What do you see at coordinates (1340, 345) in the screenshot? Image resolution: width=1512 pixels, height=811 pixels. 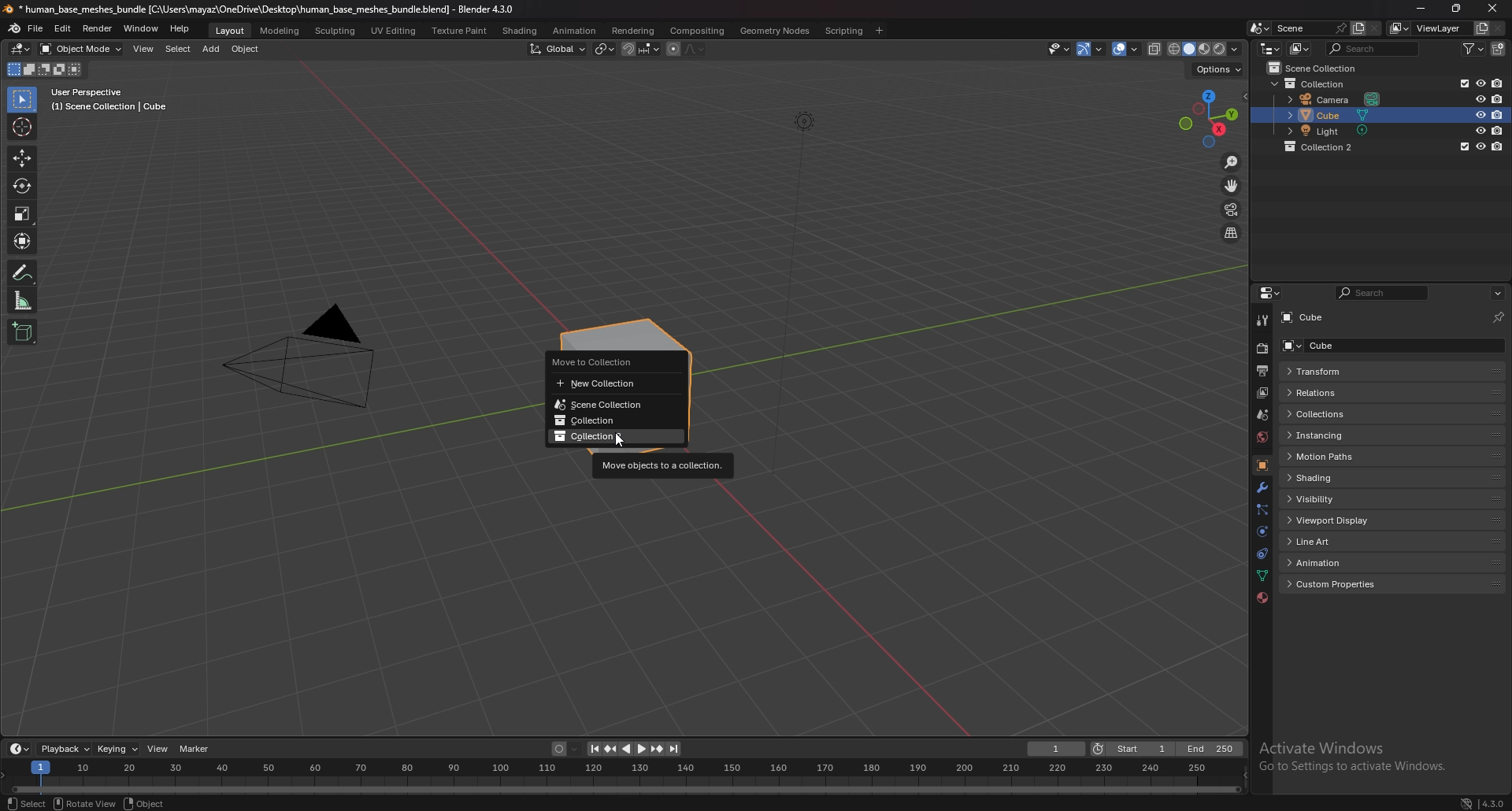 I see `cube` at bounding box center [1340, 345].